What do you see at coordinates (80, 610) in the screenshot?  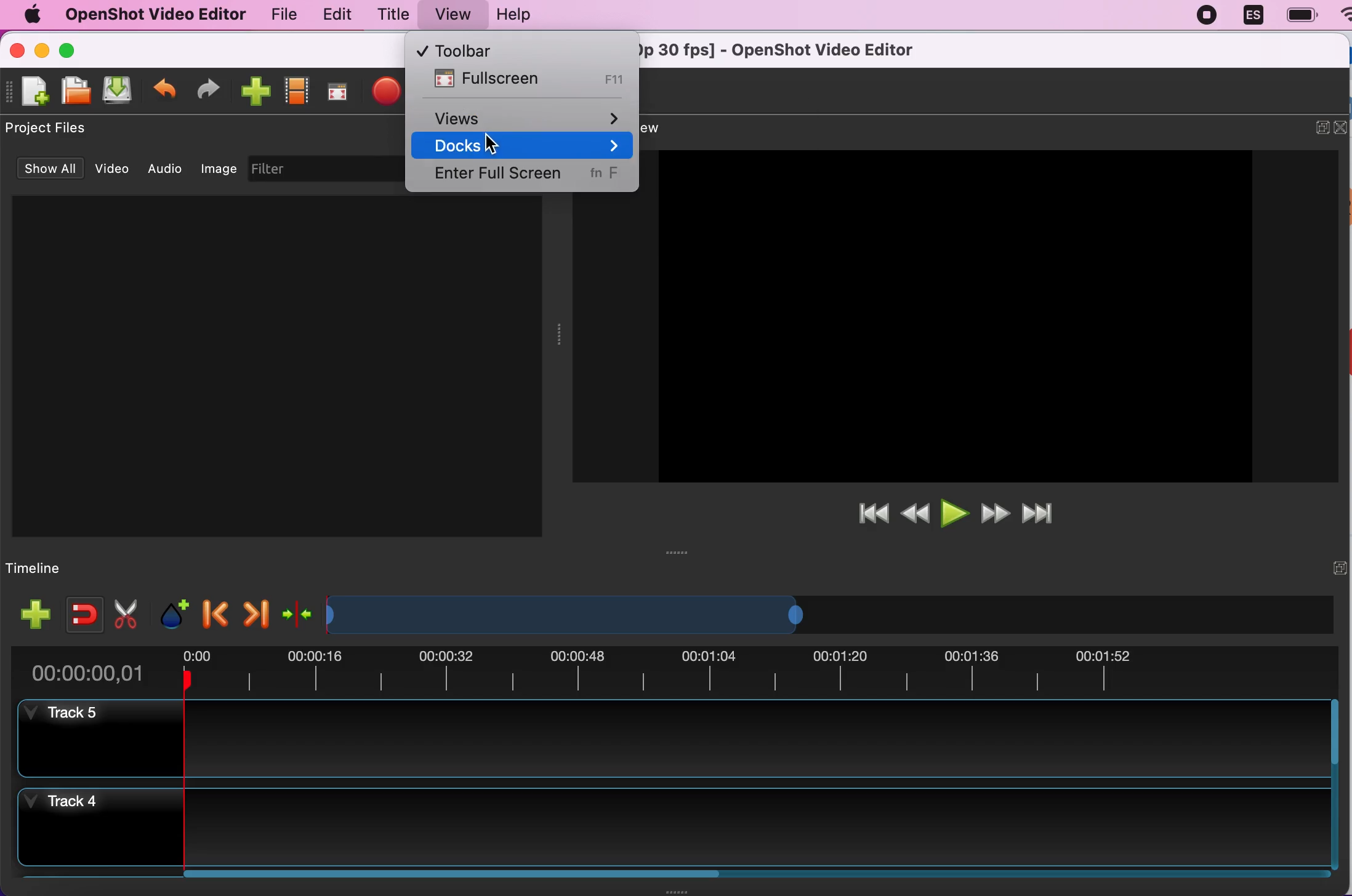 I see `enable snapping` at bounding box center [80, 610].